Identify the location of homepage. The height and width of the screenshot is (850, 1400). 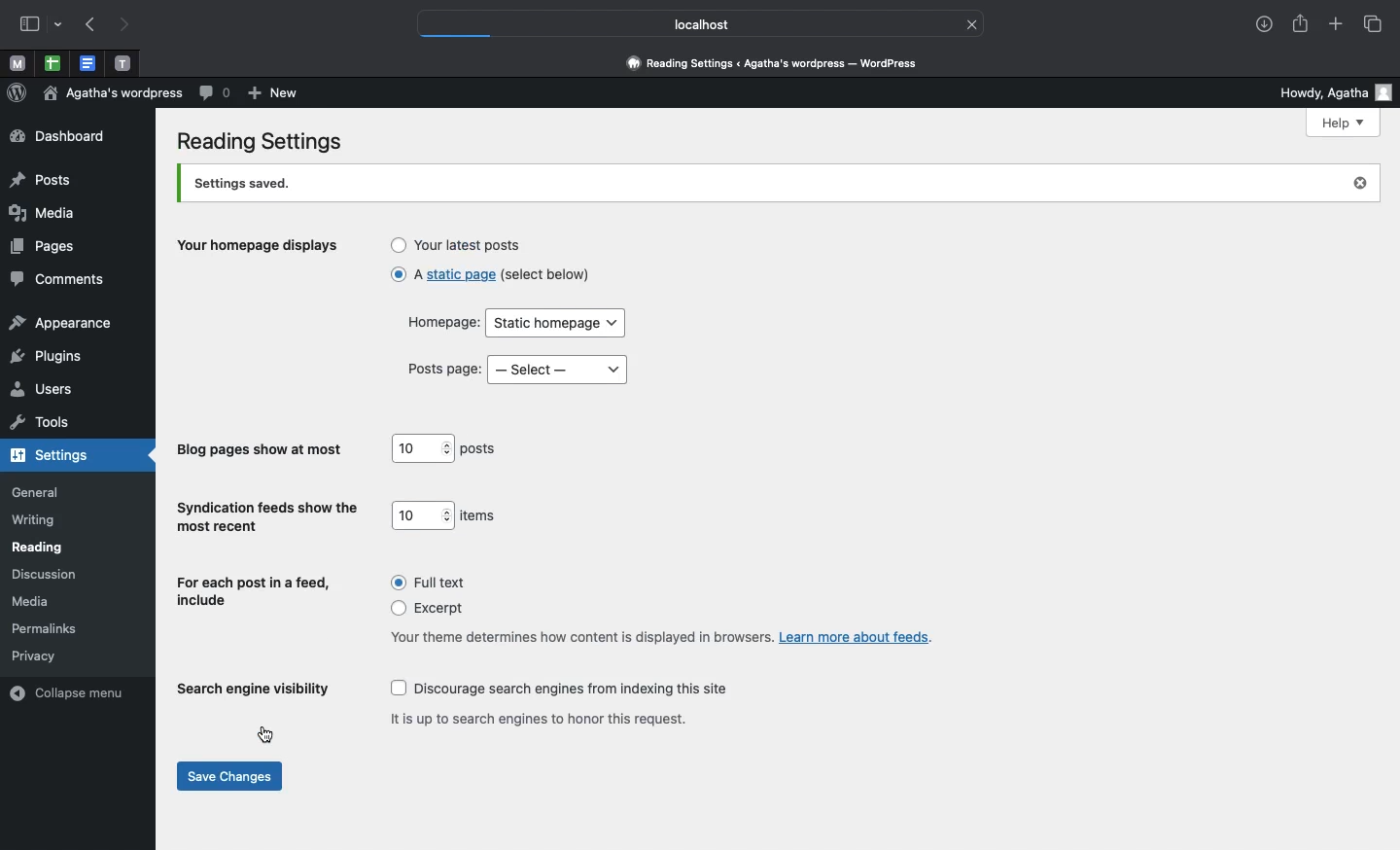
(437, 324).